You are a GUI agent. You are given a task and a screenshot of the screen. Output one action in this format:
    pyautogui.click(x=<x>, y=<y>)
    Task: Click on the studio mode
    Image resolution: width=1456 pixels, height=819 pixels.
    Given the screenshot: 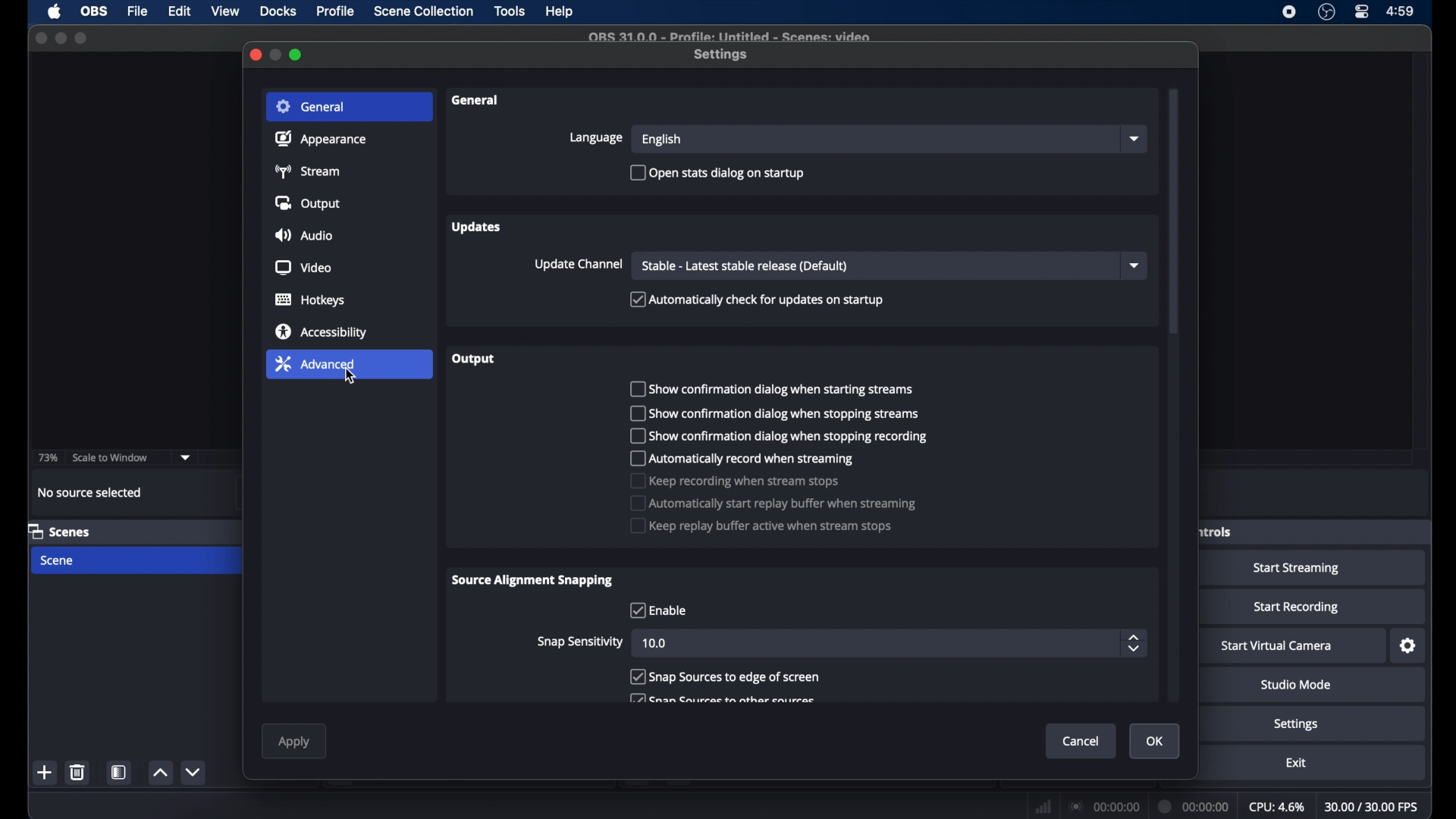 What is the action you would take?
    pyautogui.click(x=1296, y=685)
    